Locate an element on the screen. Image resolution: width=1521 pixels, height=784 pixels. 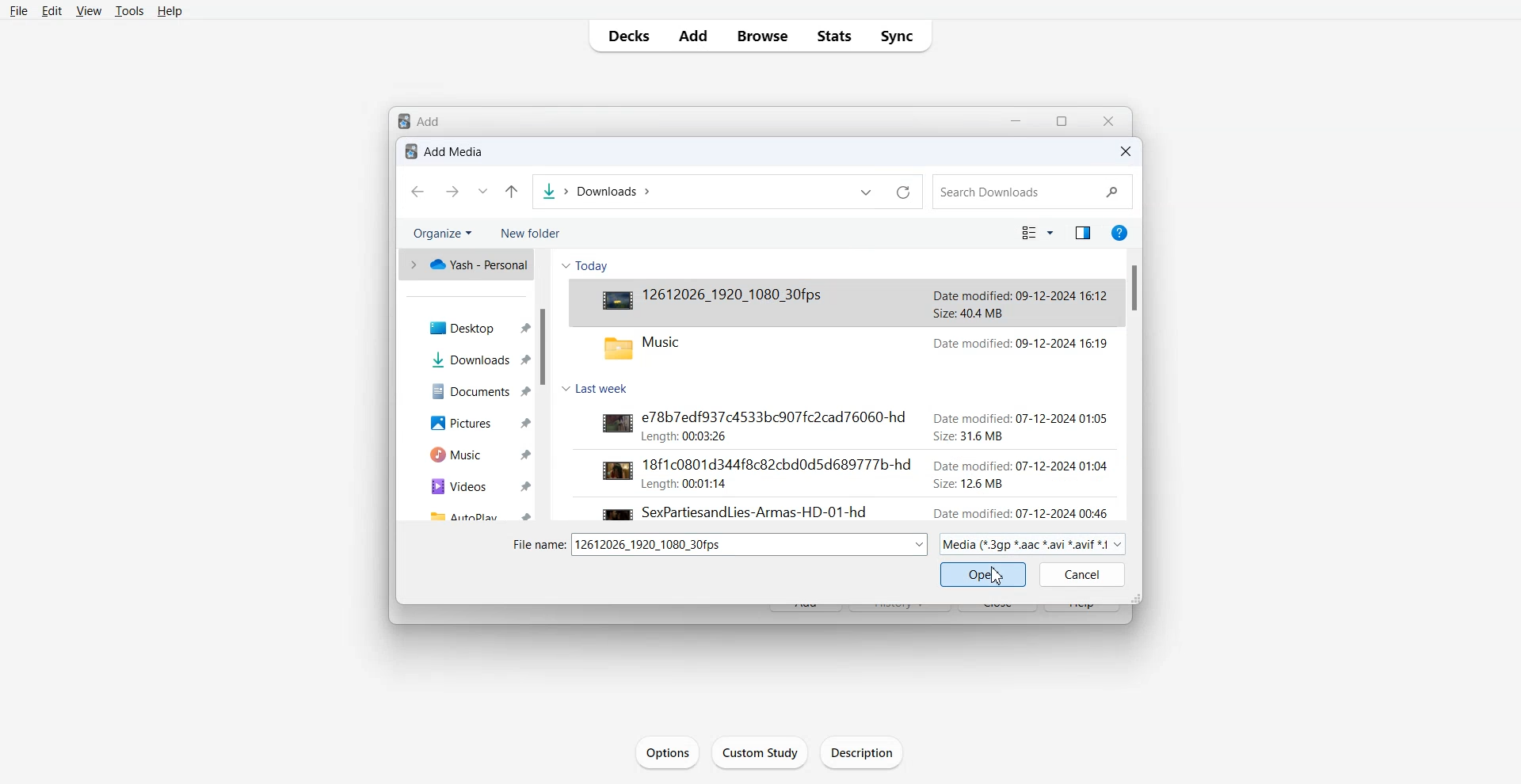
date modified is located at coordinates (1024, 512).